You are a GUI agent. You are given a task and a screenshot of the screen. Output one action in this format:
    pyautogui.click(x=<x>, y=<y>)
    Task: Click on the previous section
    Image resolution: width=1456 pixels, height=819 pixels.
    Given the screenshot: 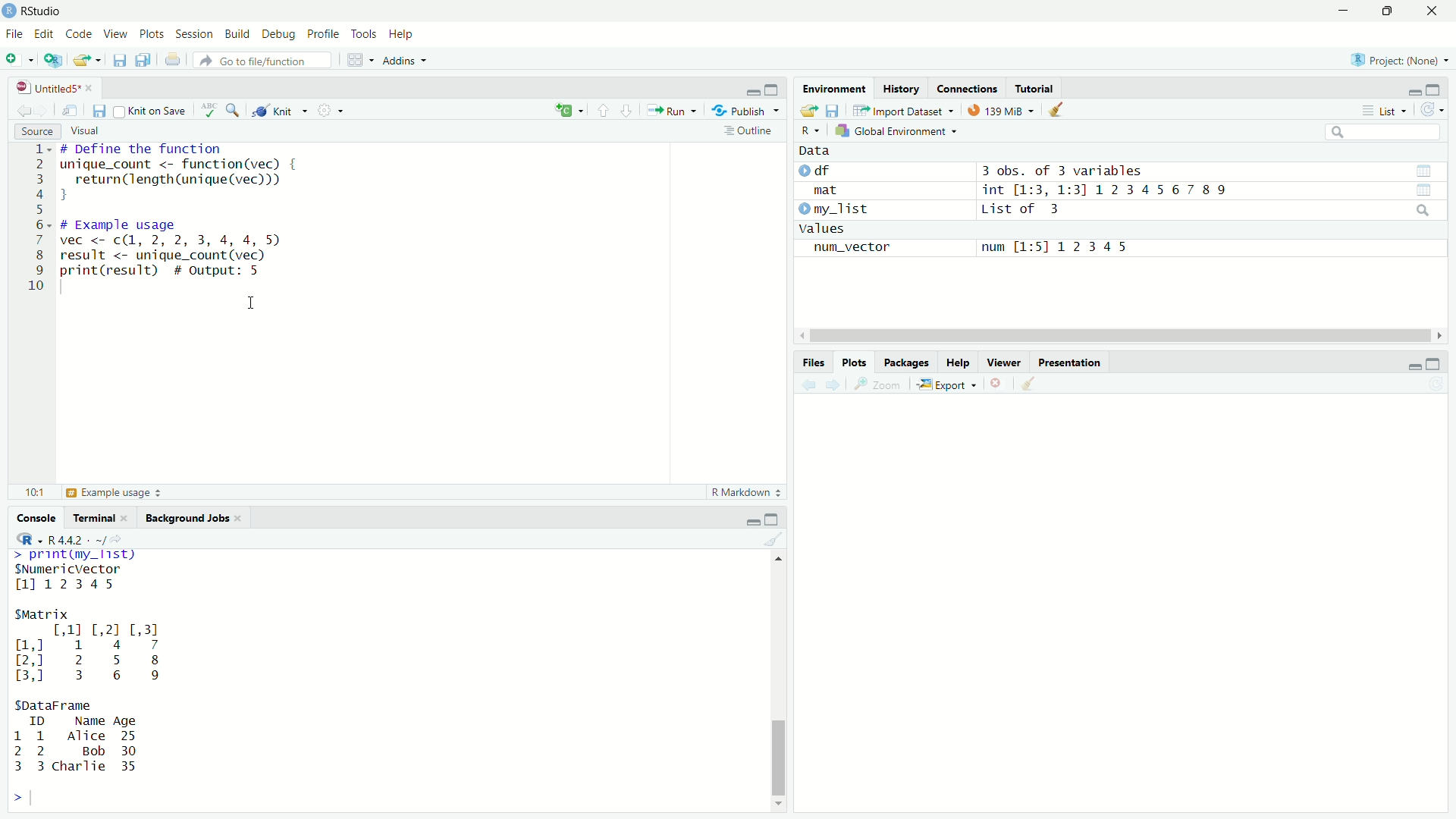 What is the action you would take?
    pyautogui.click(x=603, y=111)
    